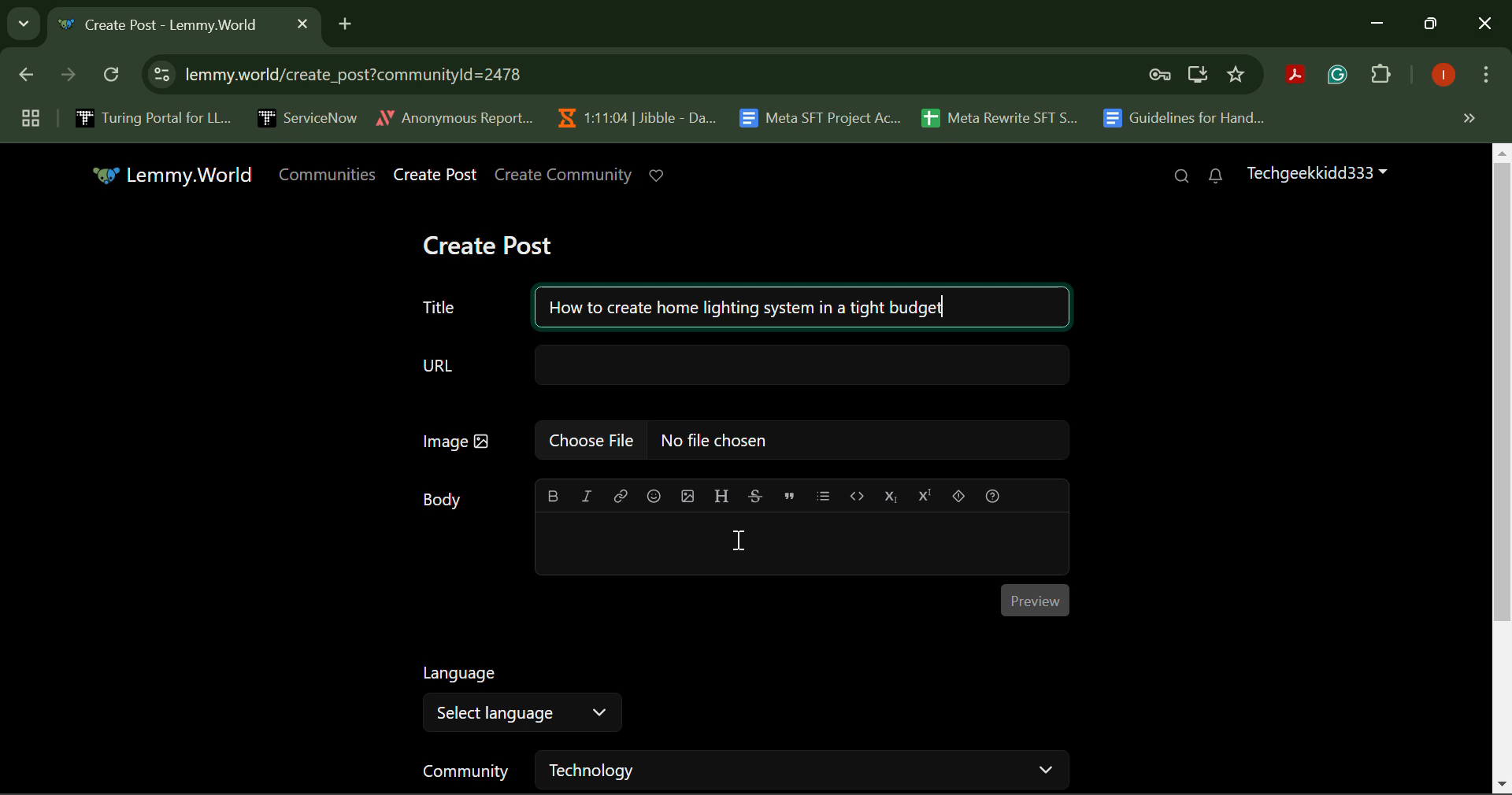 This screenshot has height=795, width=1512. Describe the element at coordinates (1181, 177) in the screenshot. I see `Search` at that location.